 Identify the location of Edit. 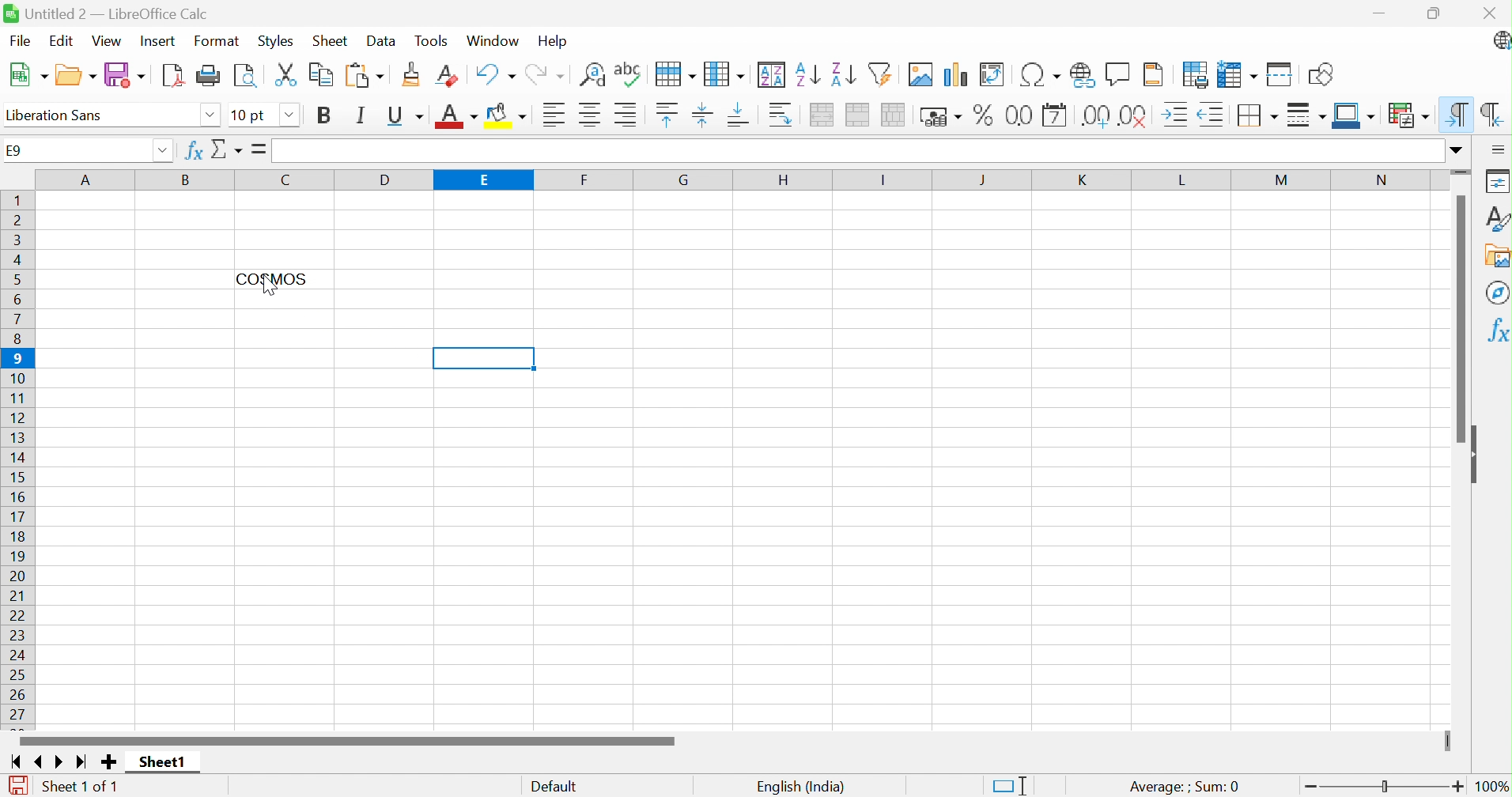
(61, 40).